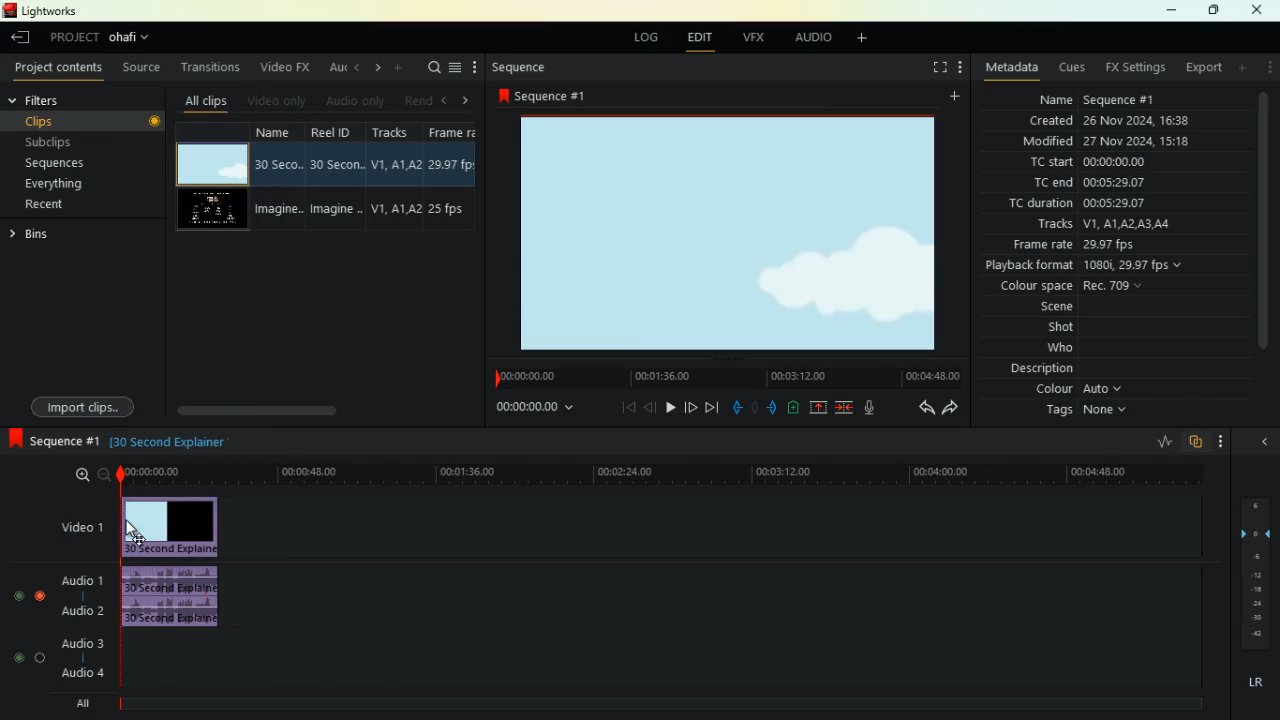 The height and width of the screenshot is (720, 1280). Describe the element at coordinates (1111, 120) in the screenshot. I see `created` at that location.